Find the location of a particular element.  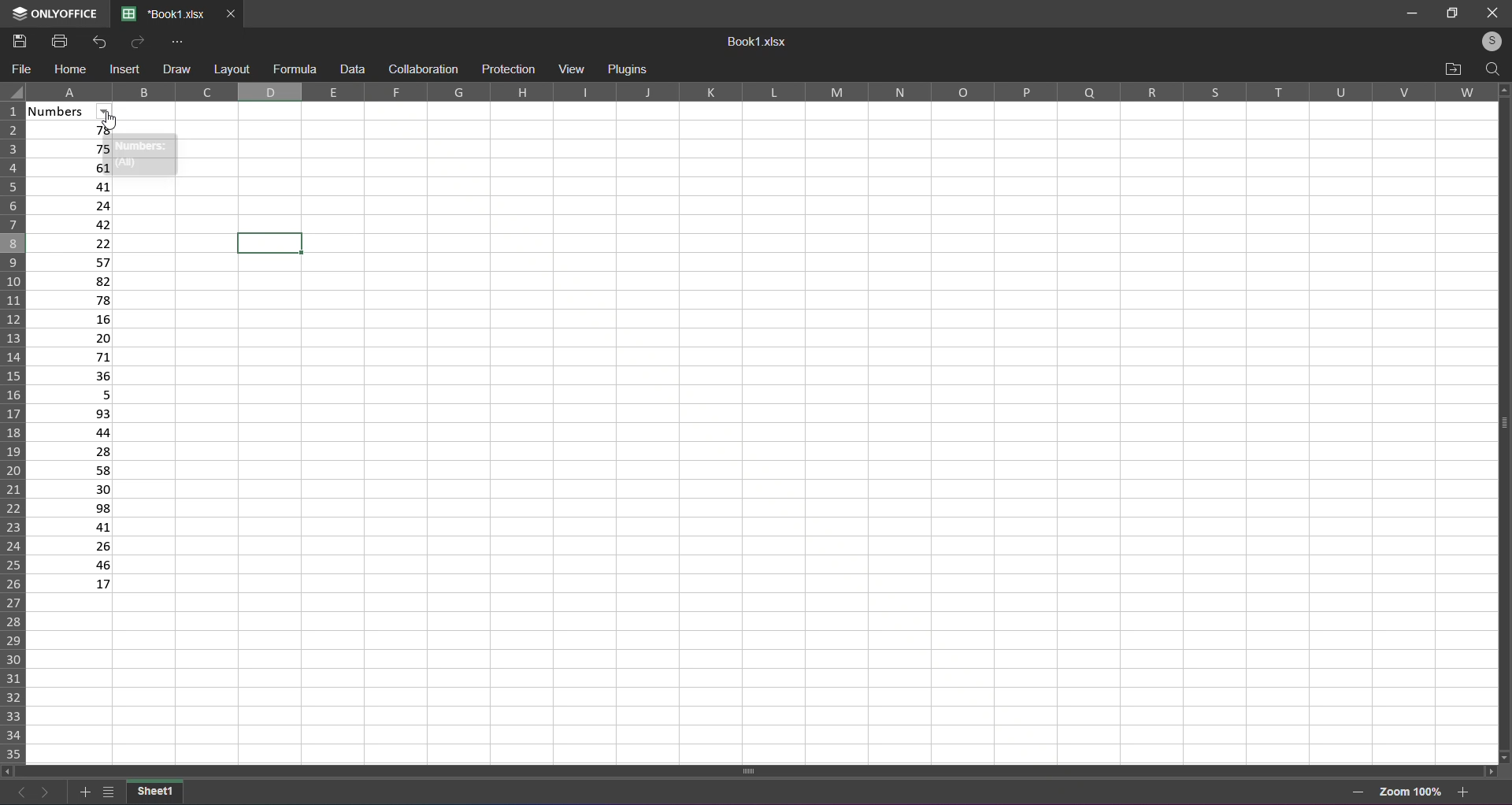

collaboration is located at coordinates (421, 69).